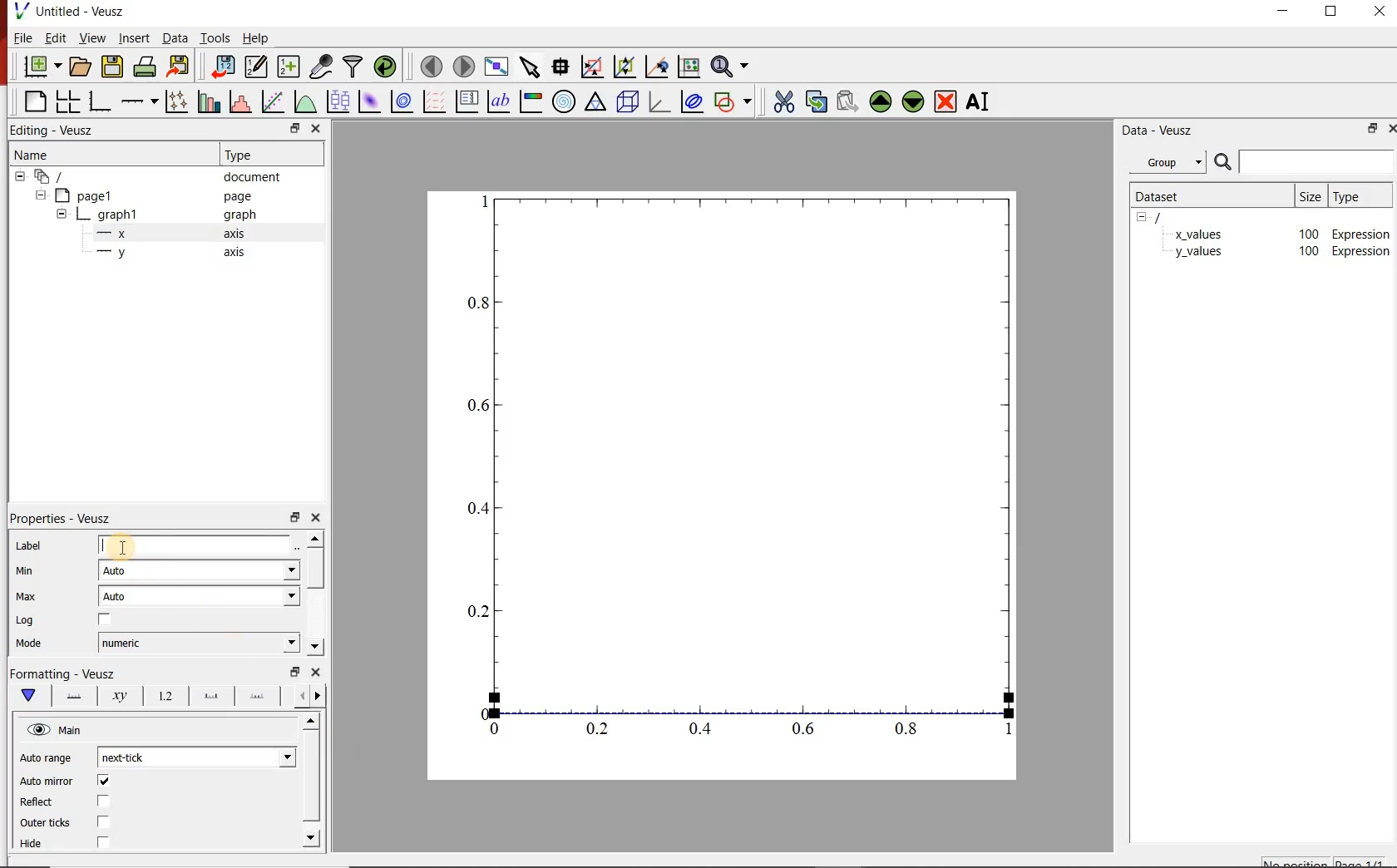  I want to click on search, so click(1221, 162).